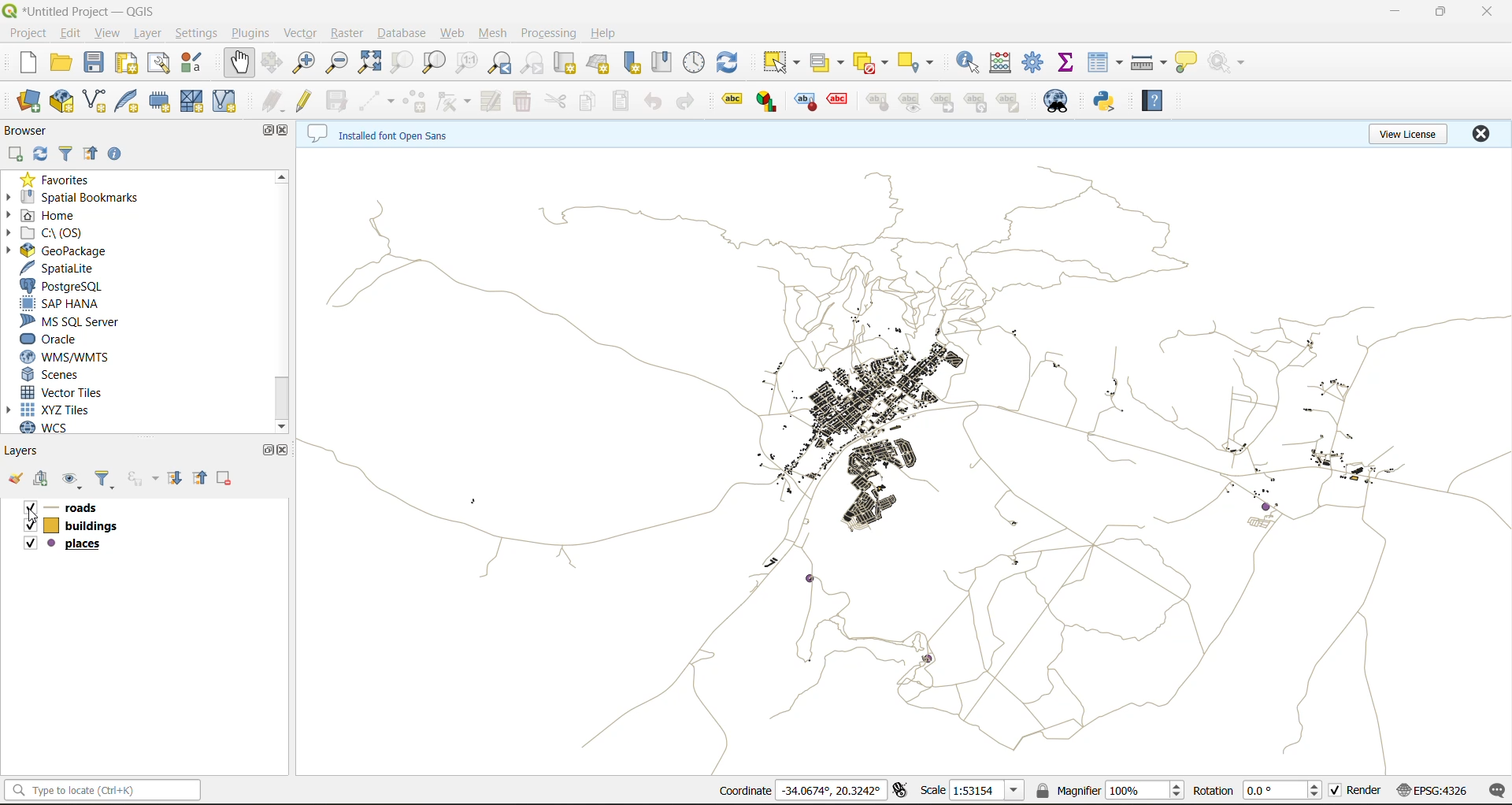 Image resolution: width=1512 pixels, height=805 pixels. What do you see at coordinates (976, 103) in the screenshot?
I see `labels toolbar 8` at bounding box center [976, 103].